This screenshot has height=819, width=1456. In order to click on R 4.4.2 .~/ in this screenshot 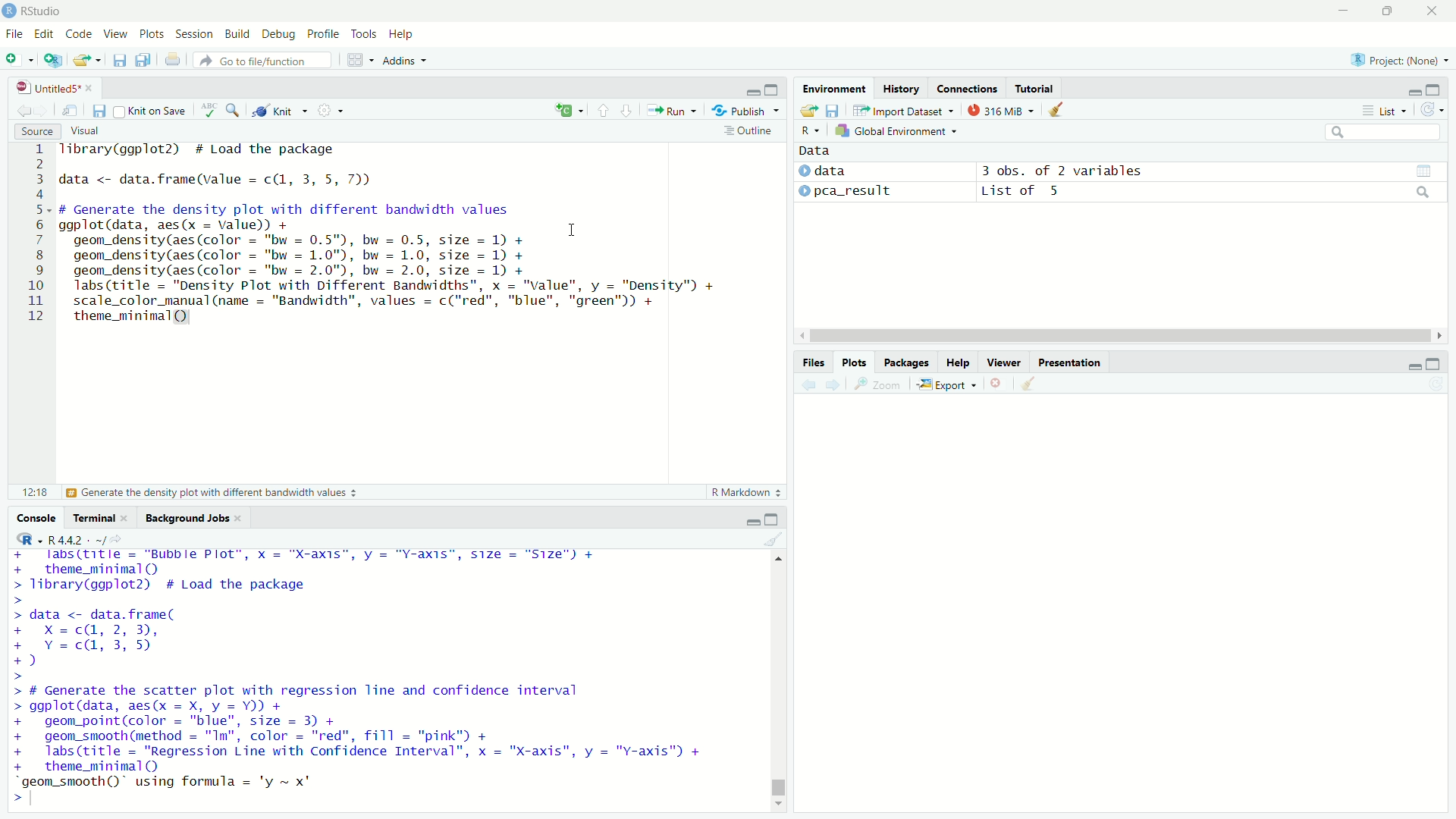, I will do `click(77, 538)`.